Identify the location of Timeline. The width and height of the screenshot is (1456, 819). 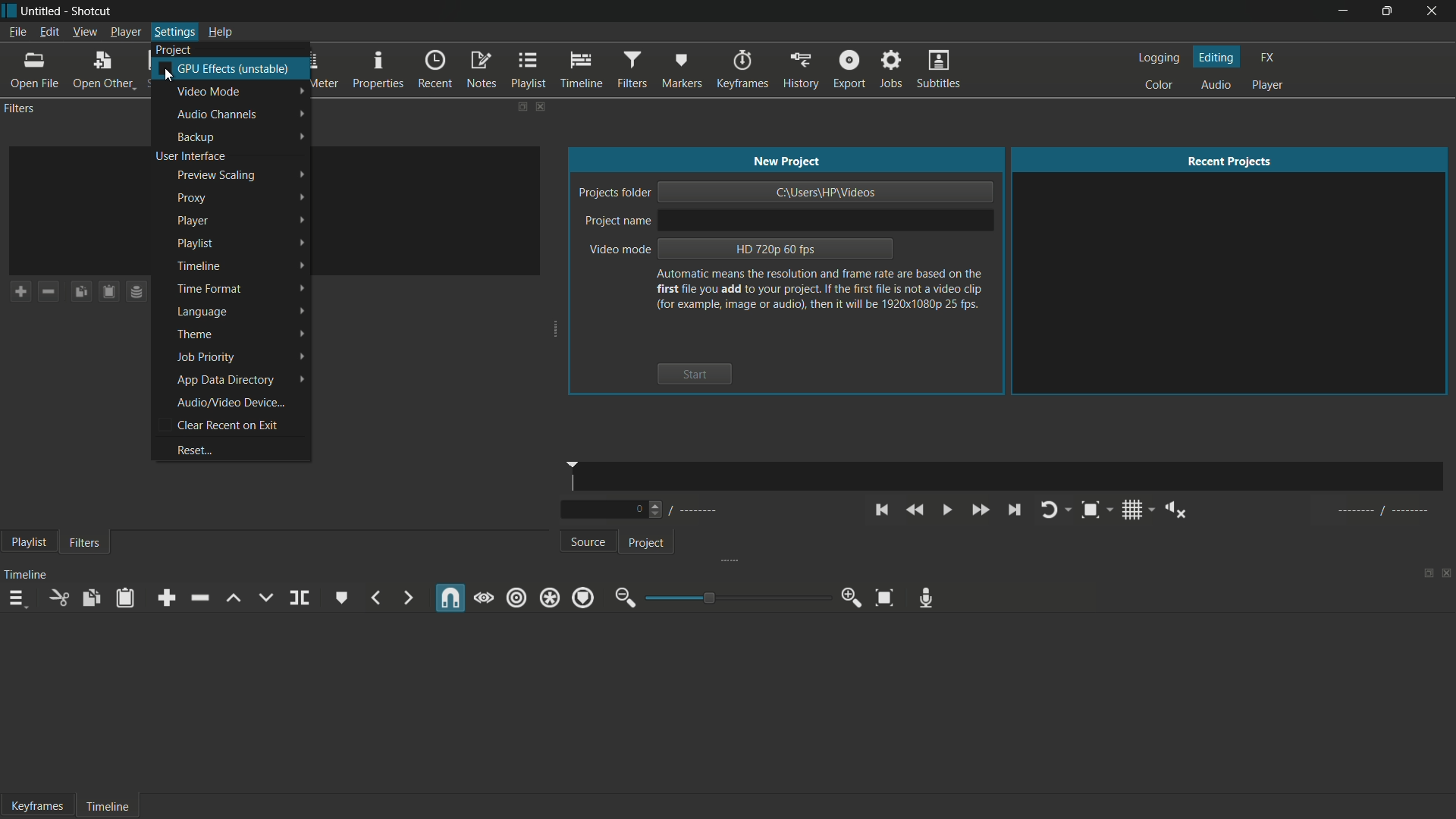
(106, 804).